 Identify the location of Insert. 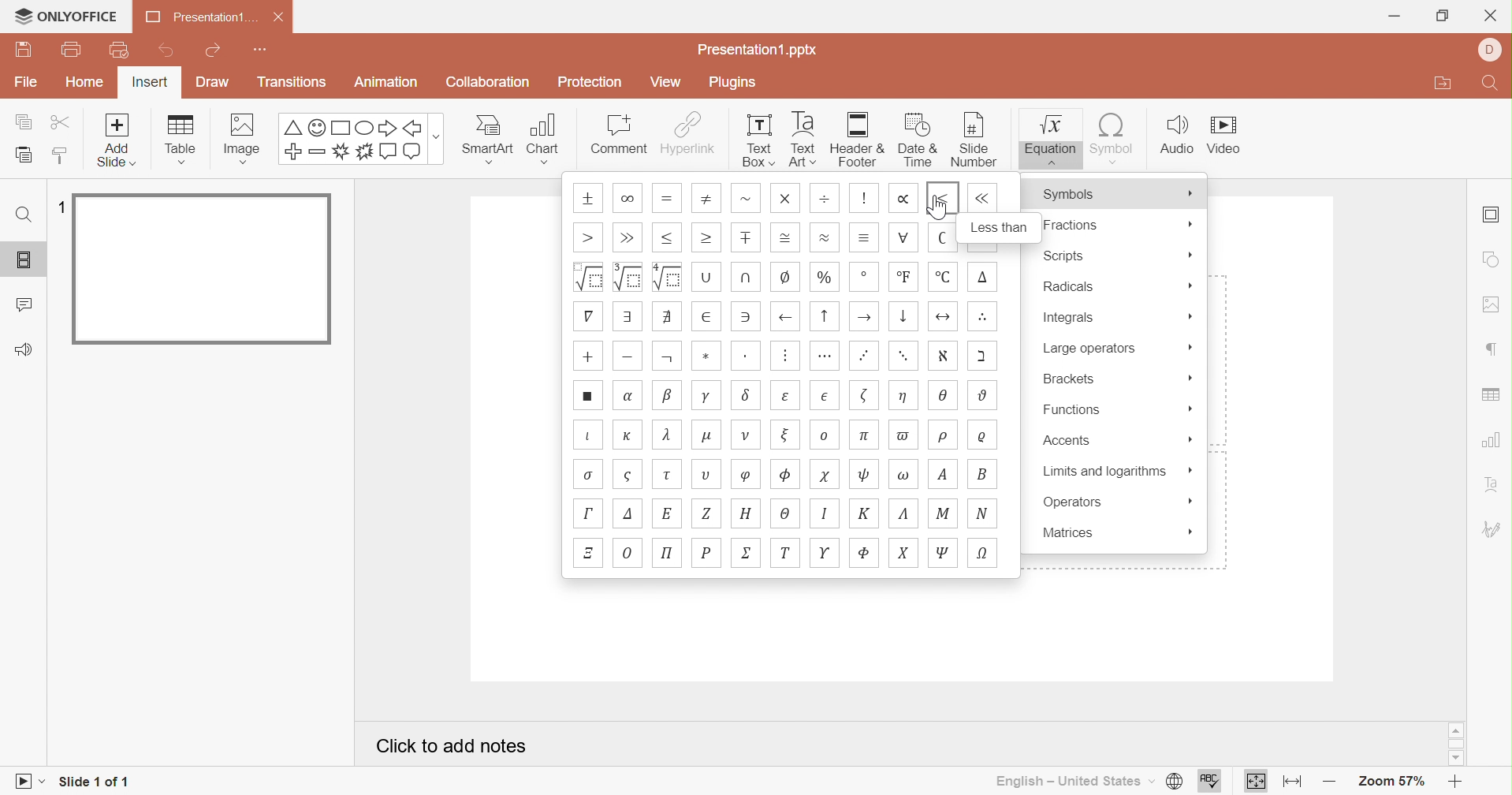
(151, 82).